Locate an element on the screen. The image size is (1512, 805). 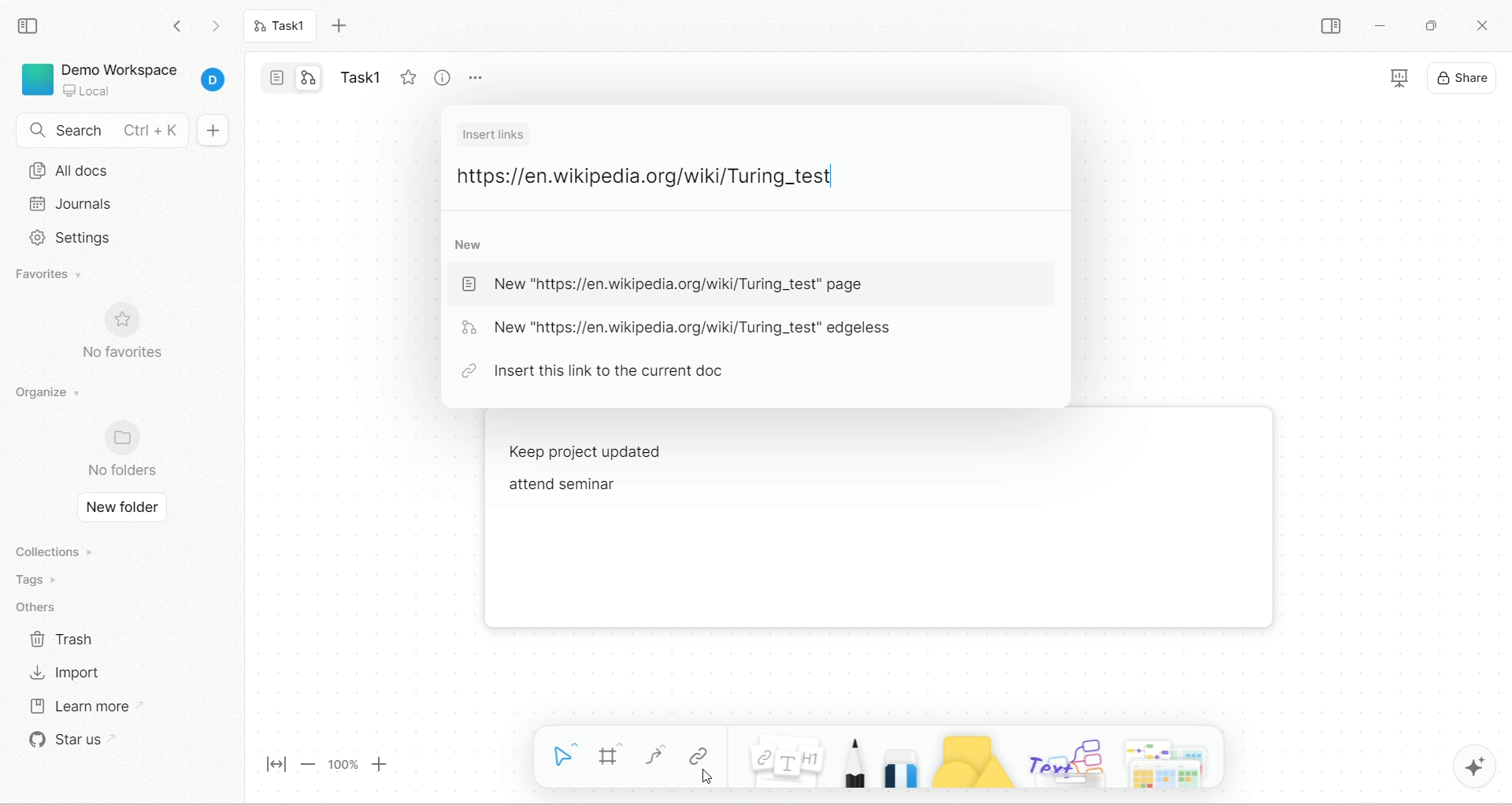
text - Keep project updated attend seminar is located at coordinates (628, 477).